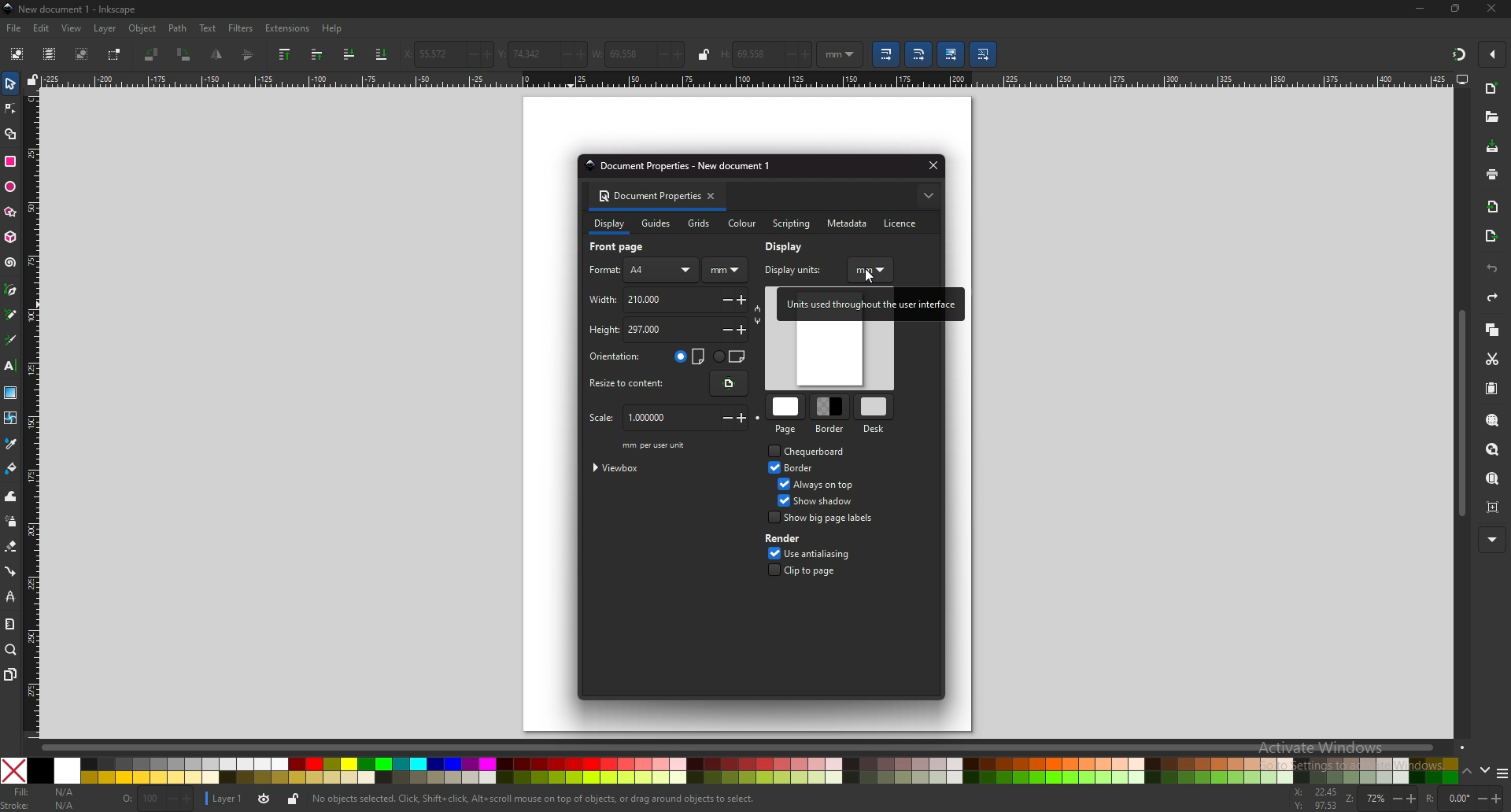 This screenshot has height=812, width=1511. I want to click on H, so click(724, 56).